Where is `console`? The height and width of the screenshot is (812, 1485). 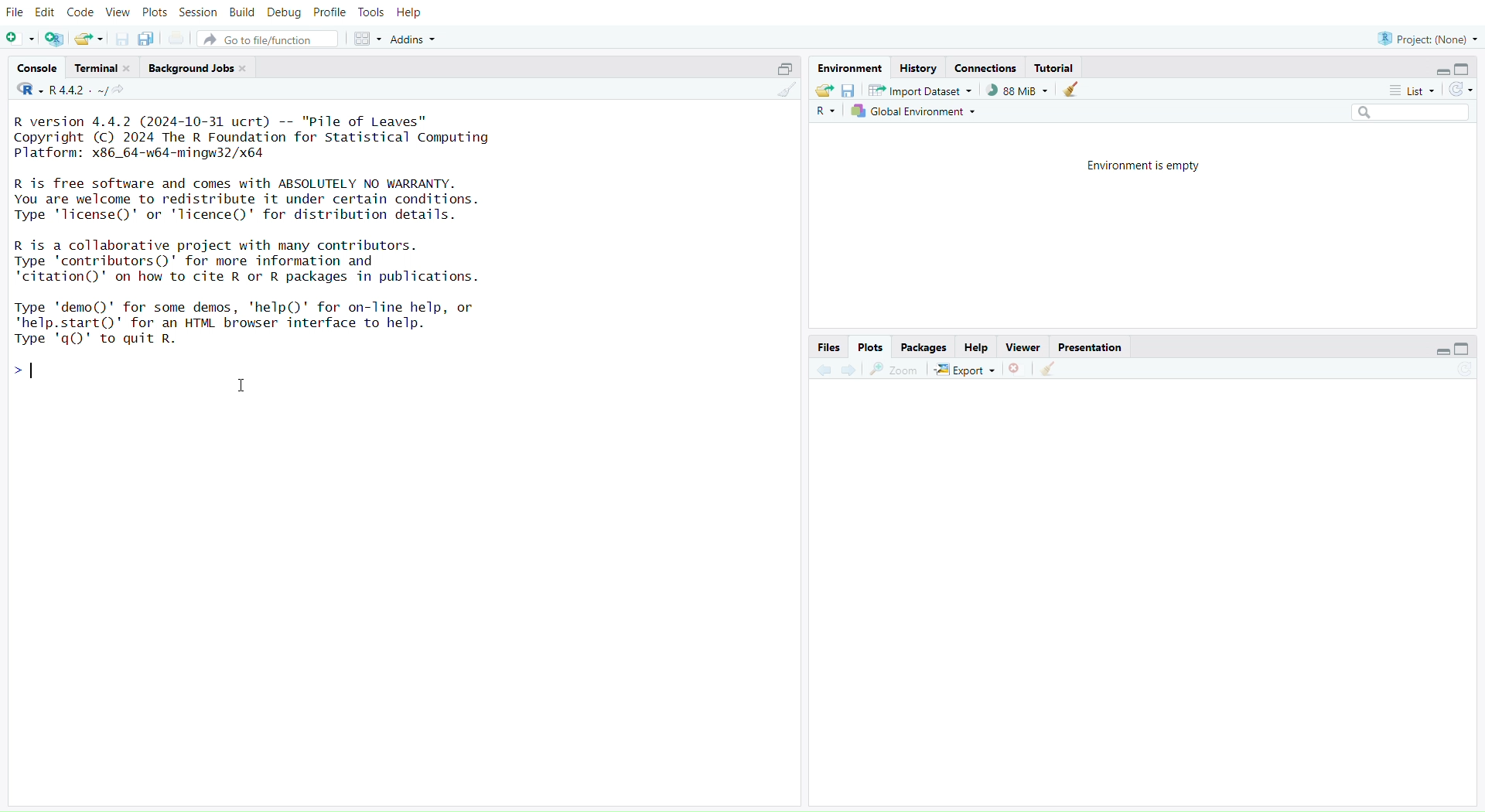 console is located at coordinates (36, 67).